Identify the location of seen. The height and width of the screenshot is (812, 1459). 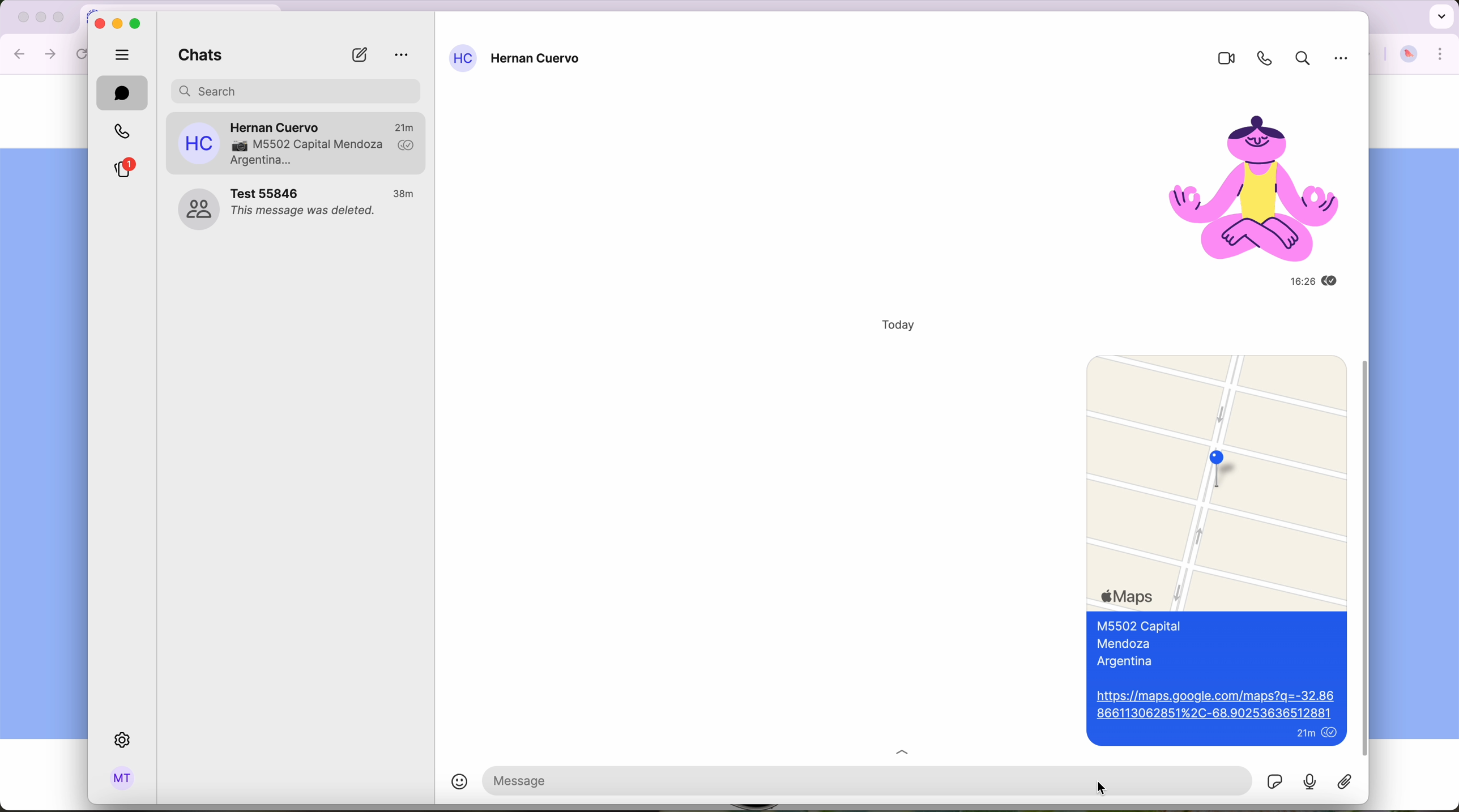
(1332, 734).